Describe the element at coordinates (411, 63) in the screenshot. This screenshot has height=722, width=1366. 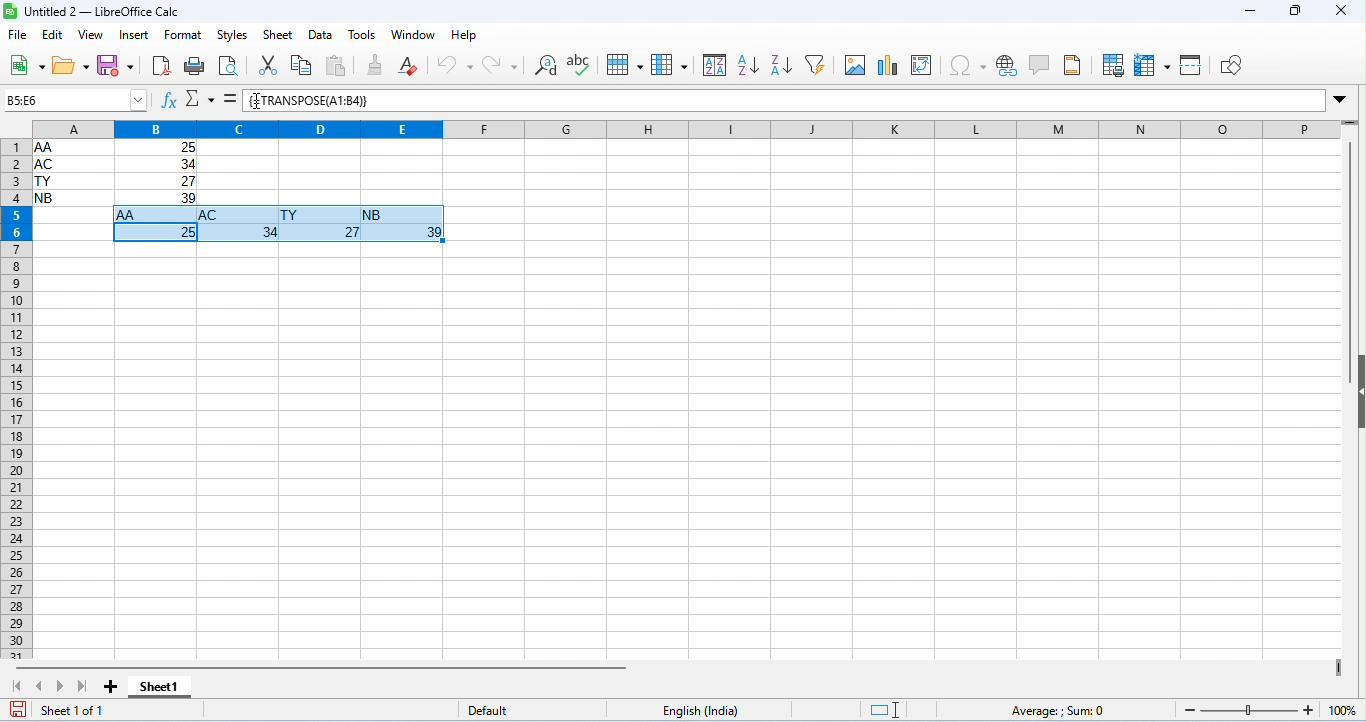
I see `clear direct formatting` at that location.